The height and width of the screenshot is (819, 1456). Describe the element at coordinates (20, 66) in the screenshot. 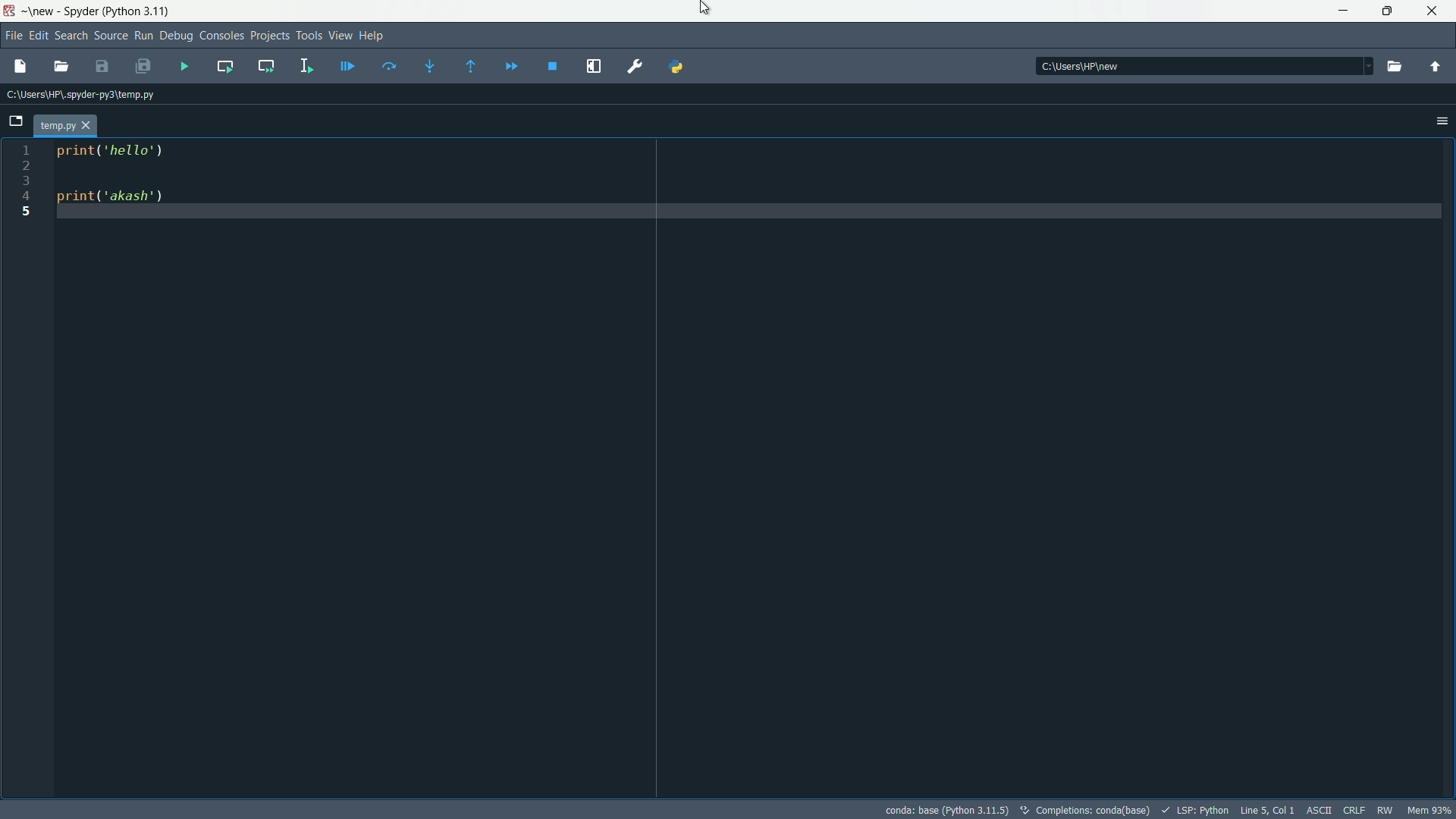

I see `new file` at that location.